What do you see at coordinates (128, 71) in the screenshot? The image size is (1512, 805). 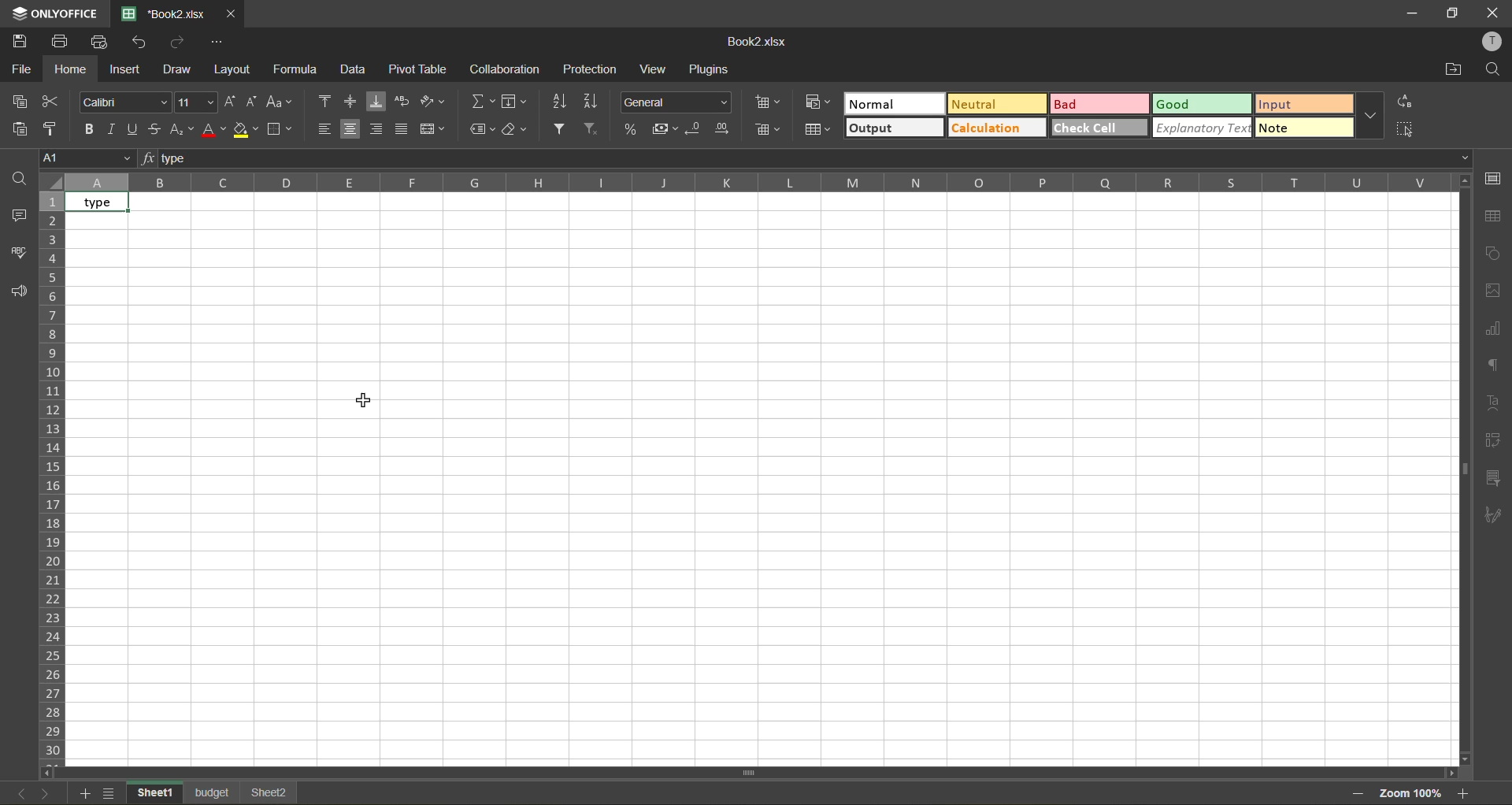 I see `insert` at bounding box center [128, 71].